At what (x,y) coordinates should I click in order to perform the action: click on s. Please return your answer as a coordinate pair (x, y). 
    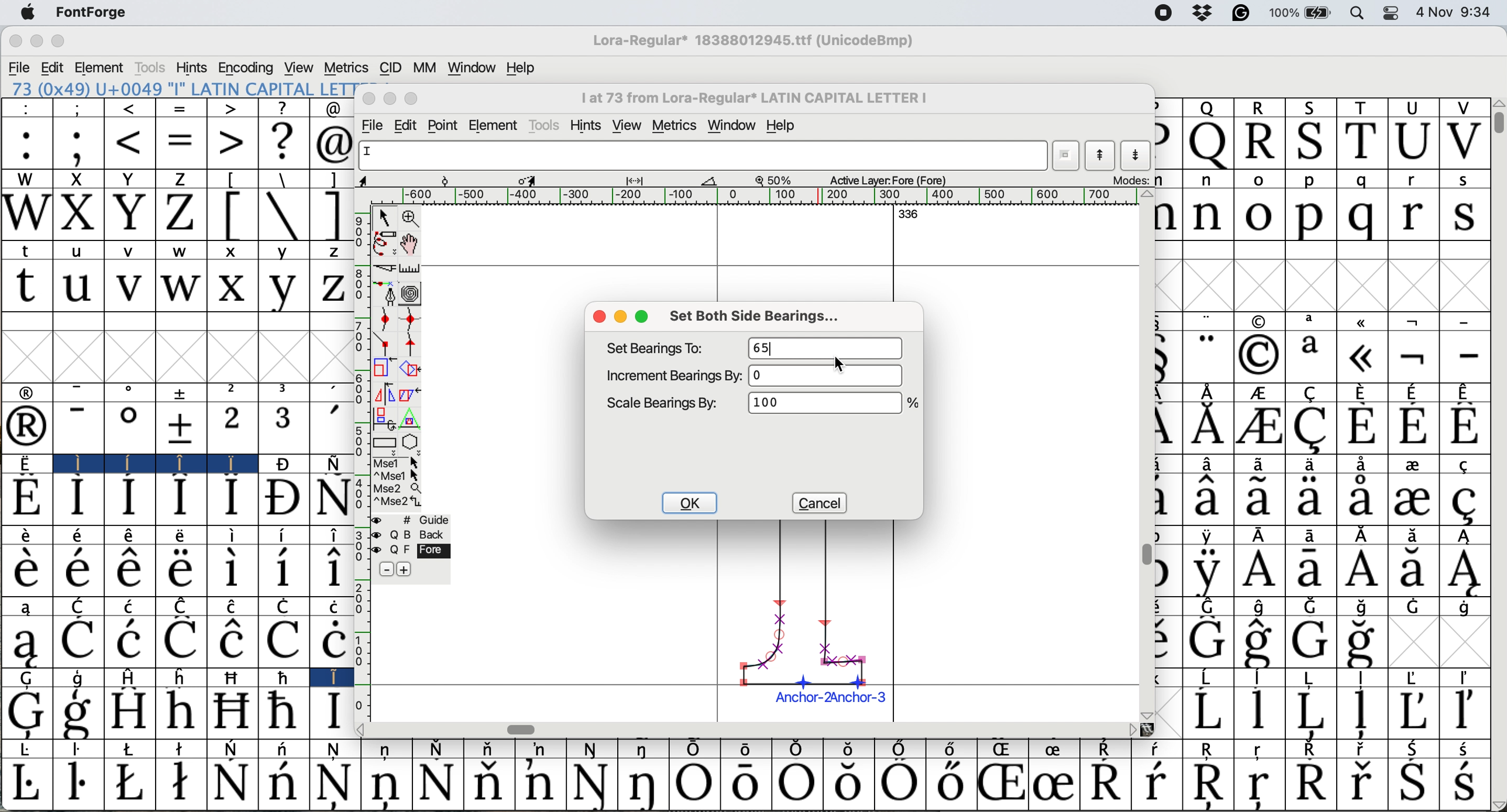
    Looking at the image, I should click on (1465, 216).